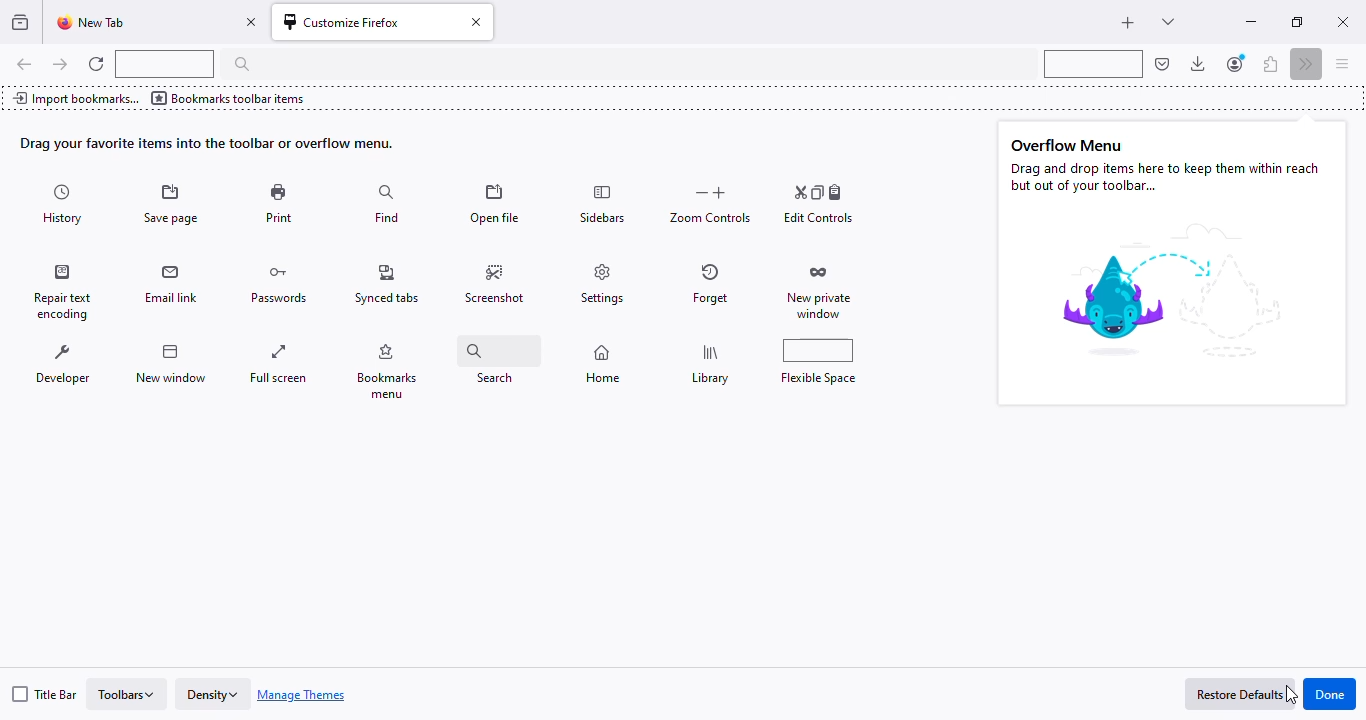 The width and height of the screenshot is (1366, 720). Describe the element at coordinates (172, 283) in the screenshot. I see `email link` at that location.